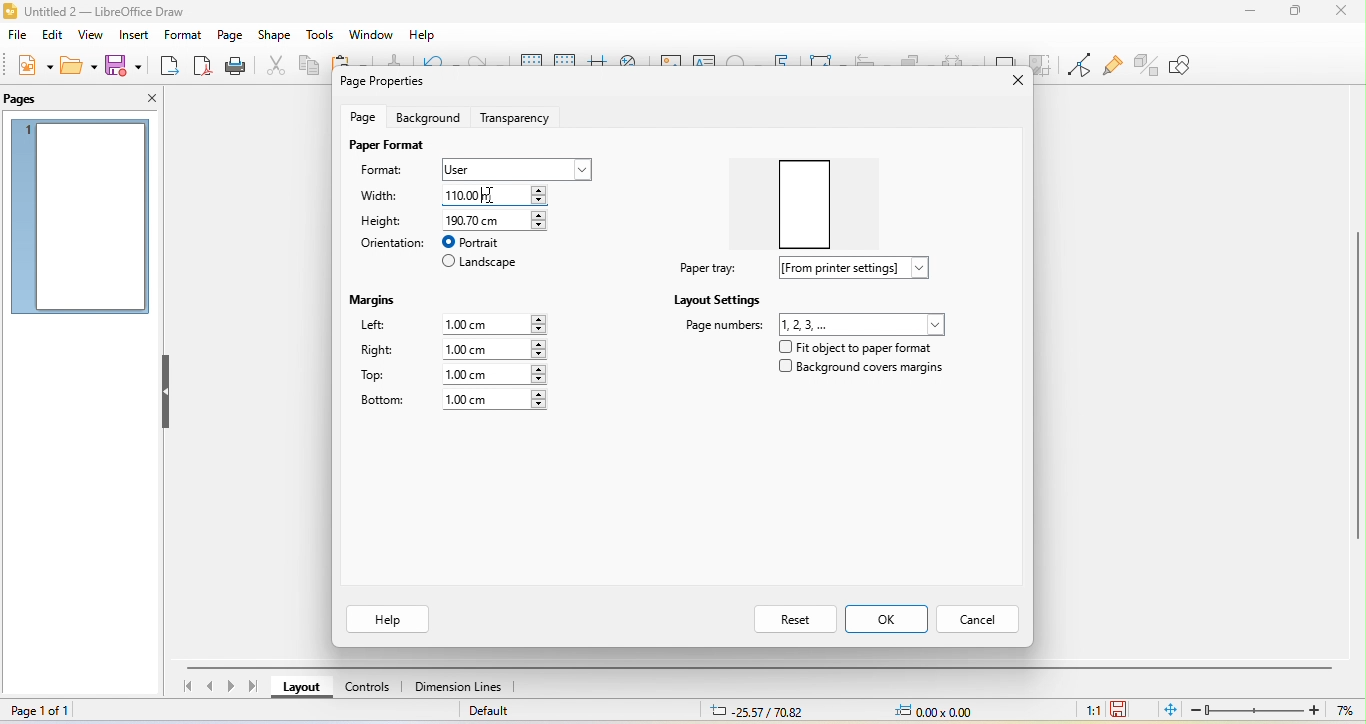 The height and width of the screenshot is (724, 1366). Describe the element at coordinates (257, 686) in the screenshot. I see `last page` at that location.